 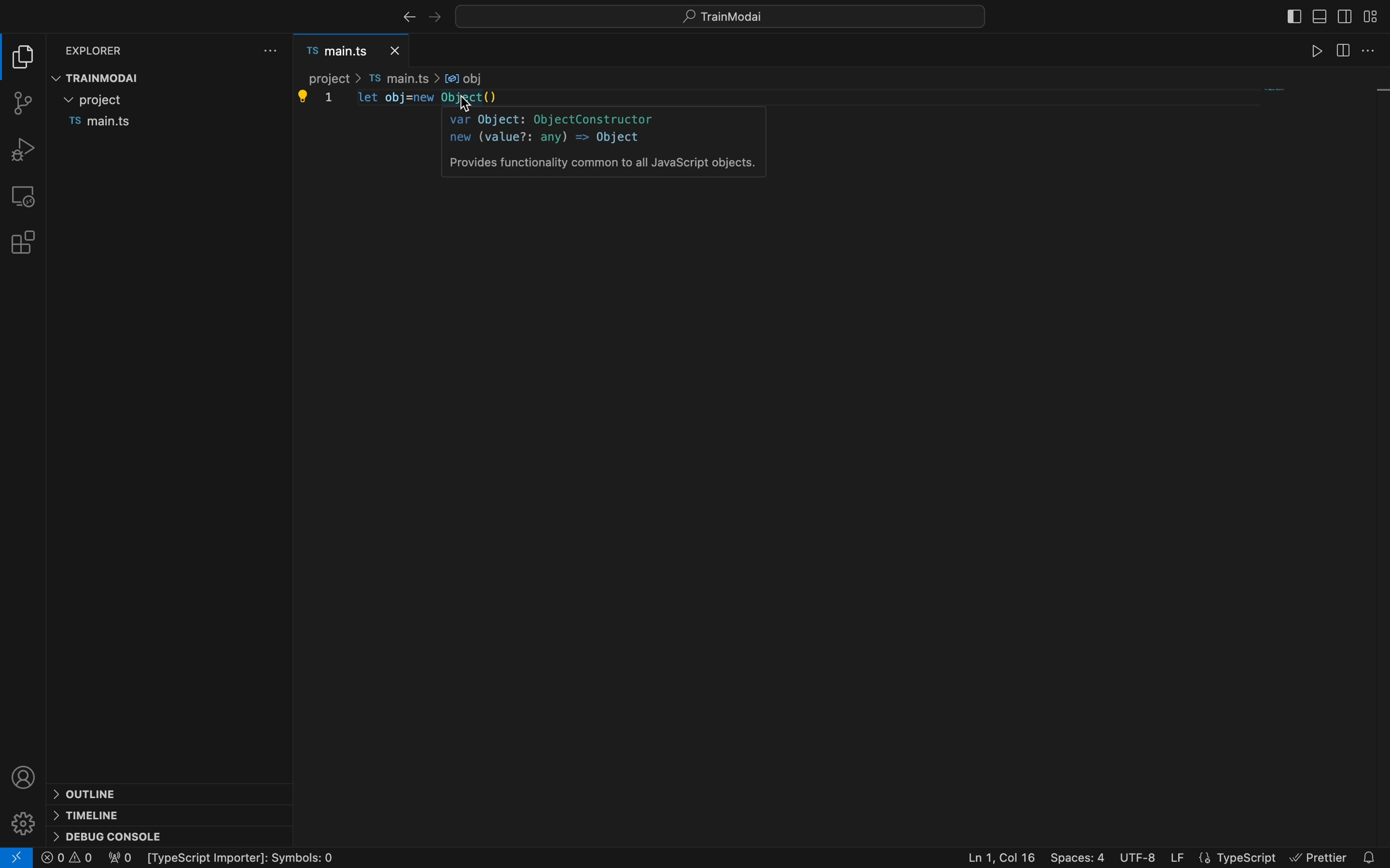 What do you see at coordinates (271, 50) in the screenshot?
I see `file settings` at bounding box center [271, 50].